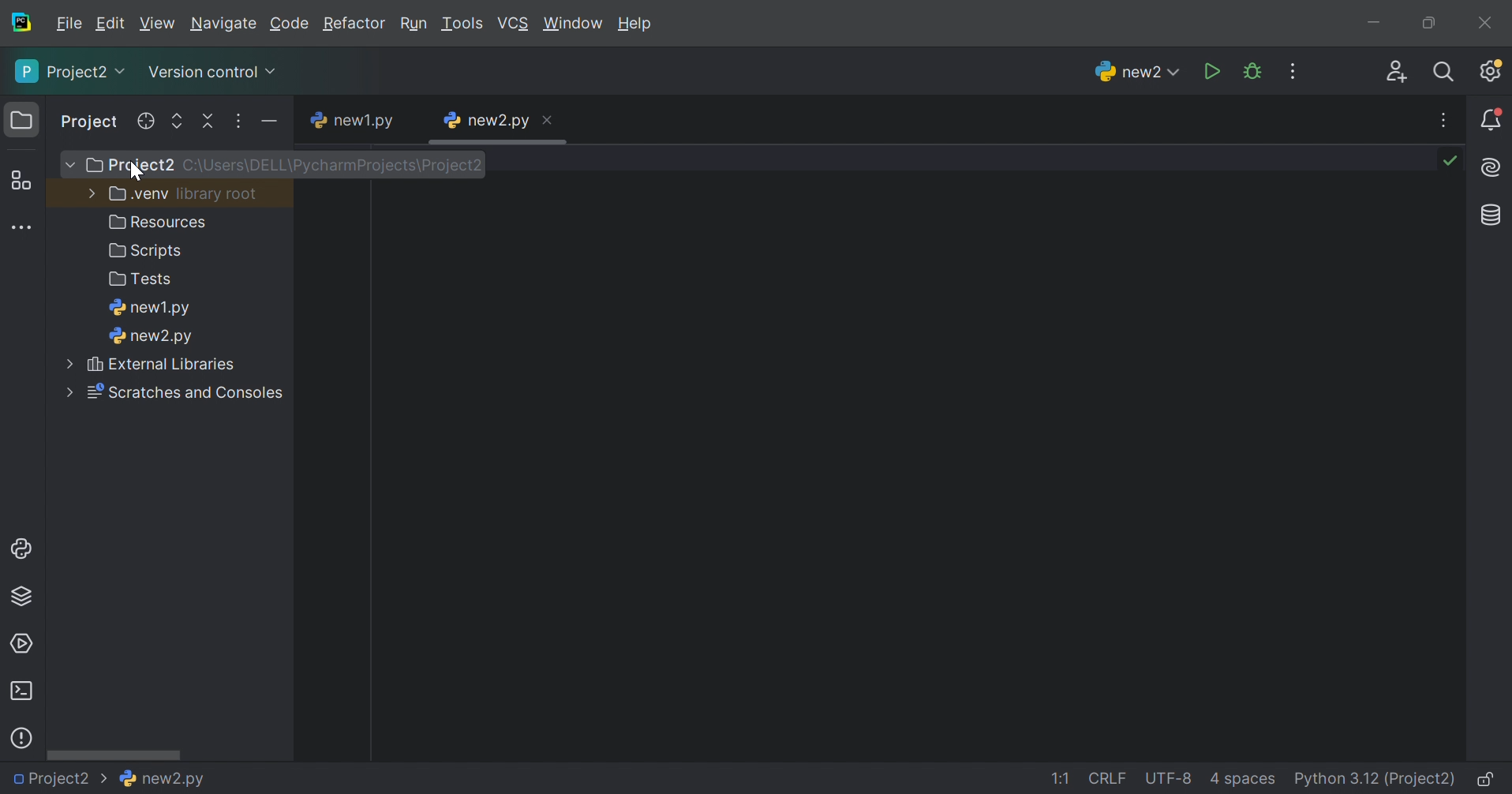 This screenshot has height=794, width=1512. I want to click on cursor, so click(136, 172).